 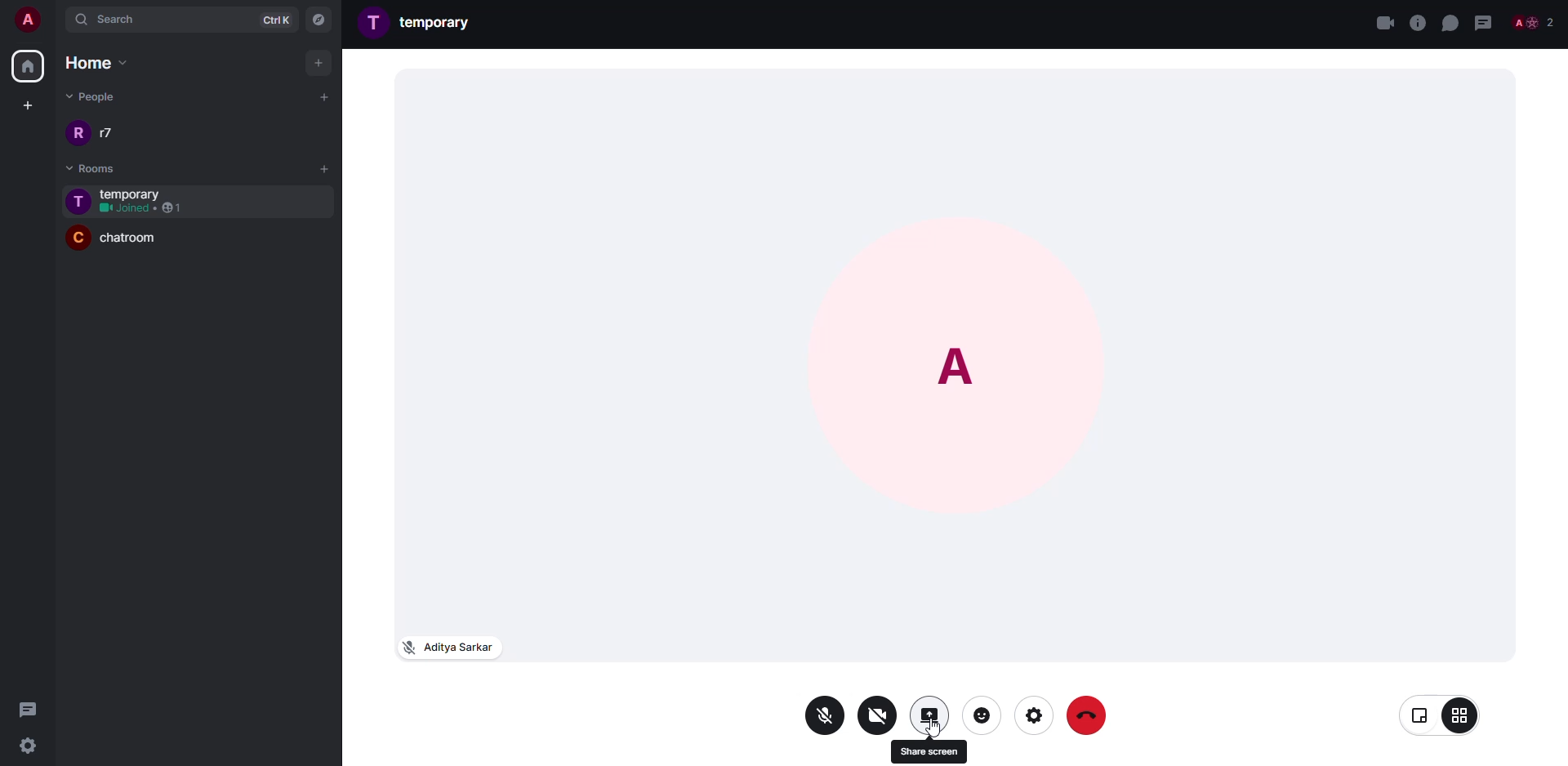 What do you see at coordinates (318, 20) in the screenshot?
I see `navigator` at bounding box center [318, 20].